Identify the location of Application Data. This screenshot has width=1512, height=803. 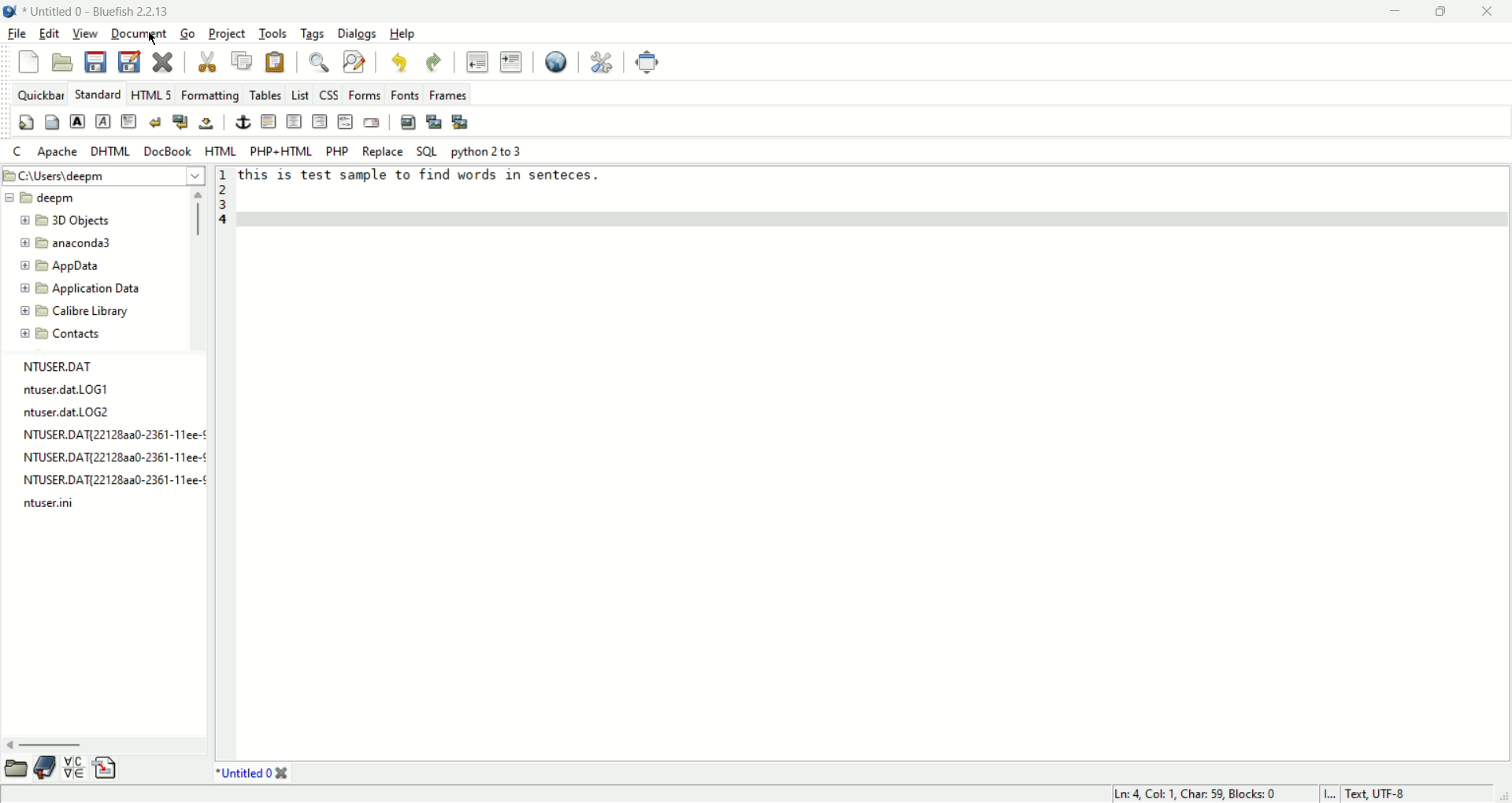
(94, 289).